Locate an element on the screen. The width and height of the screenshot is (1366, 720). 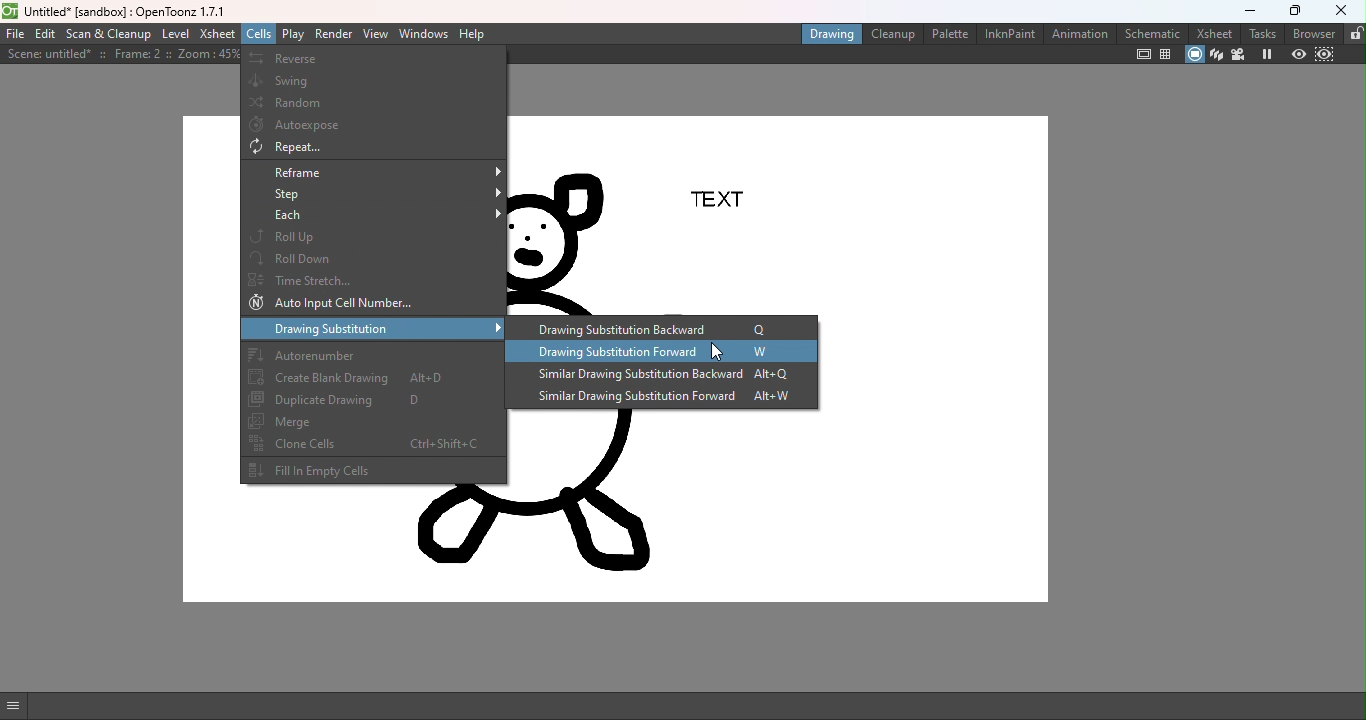
Animation is located at coordinates (1078, 35).